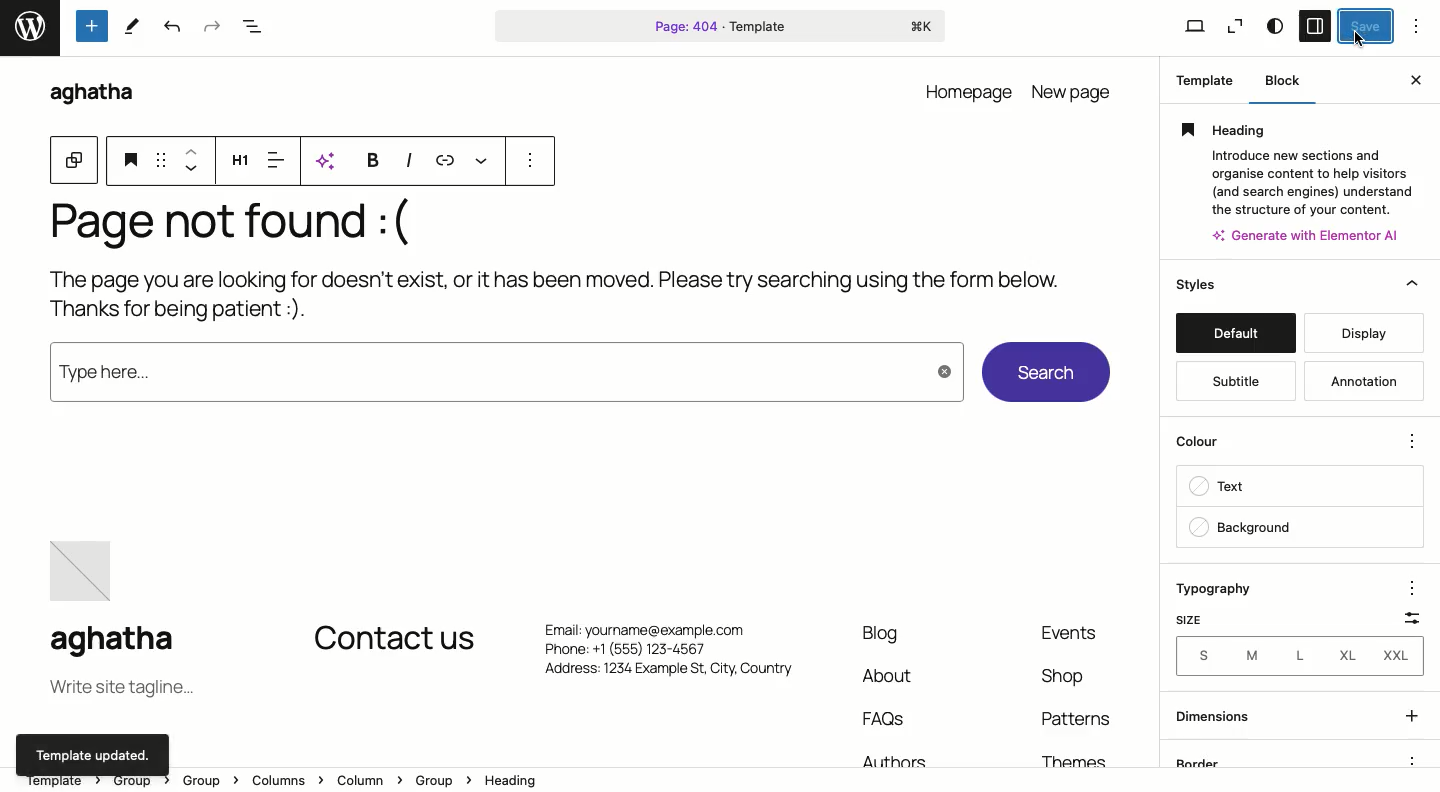 The width and height of the screenshot is (1440, 792). Describe the element at coordinates (209, 27) in the screenshot. I see `Redo` at that location.